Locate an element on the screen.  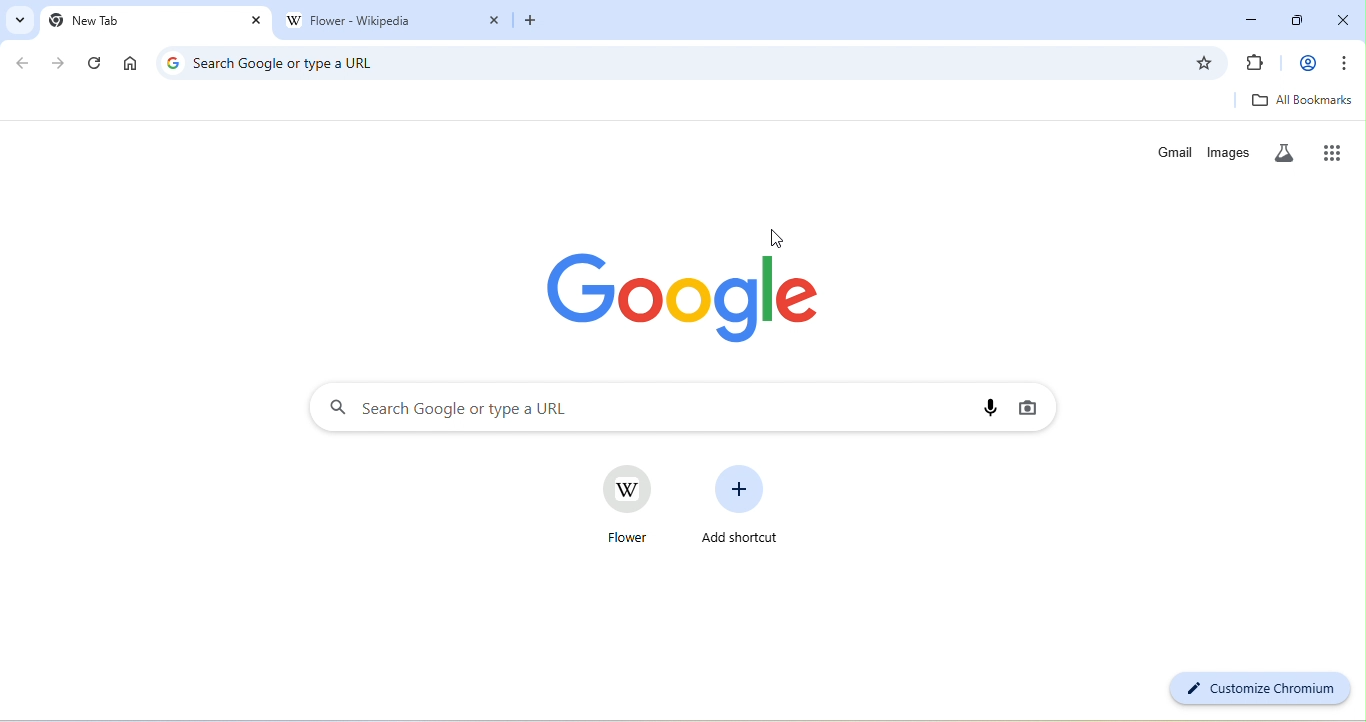
all bookmarks is located at coordinates (1302, 100).